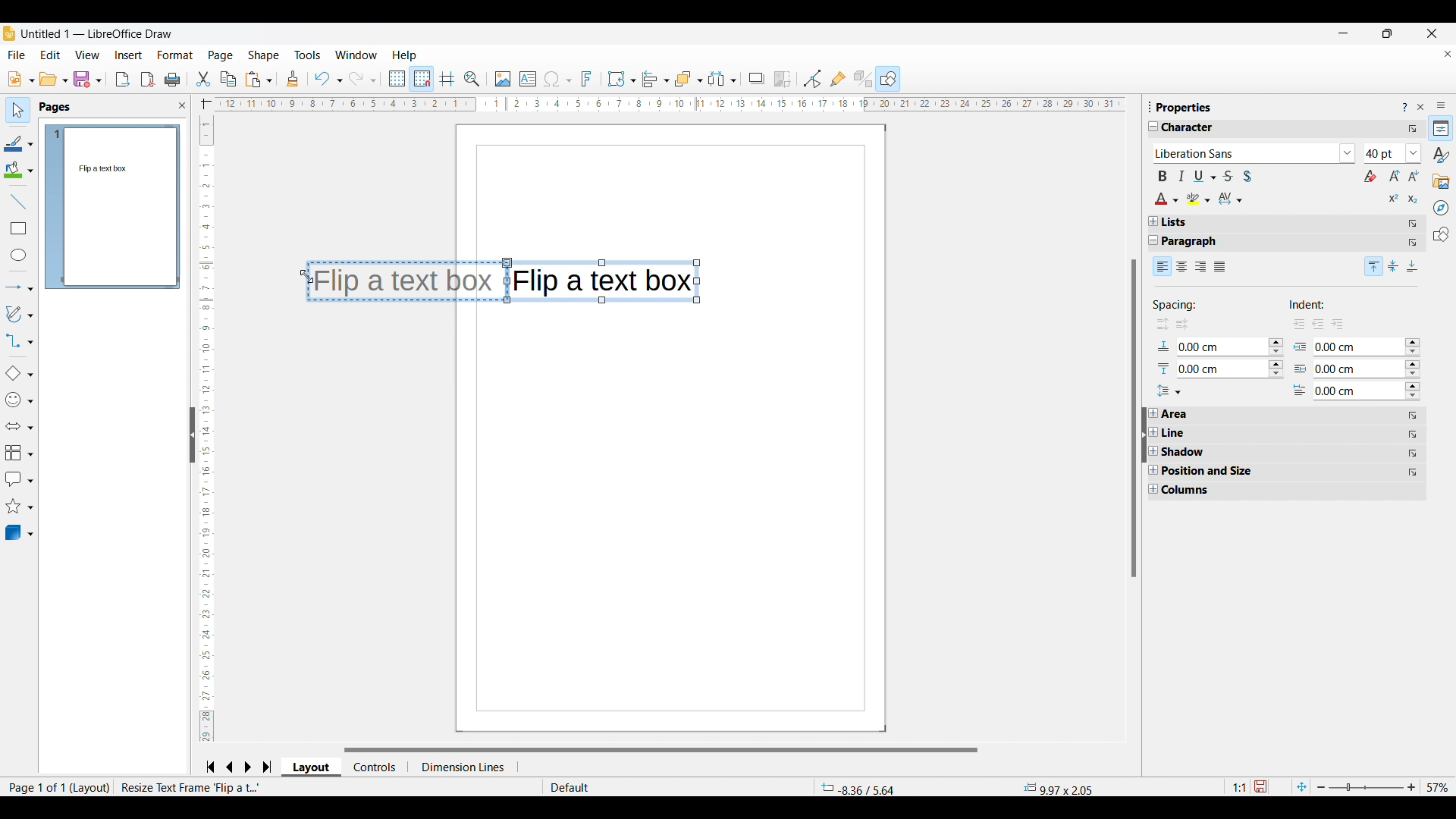  I want to click on Tools menu, so click(308, 55).